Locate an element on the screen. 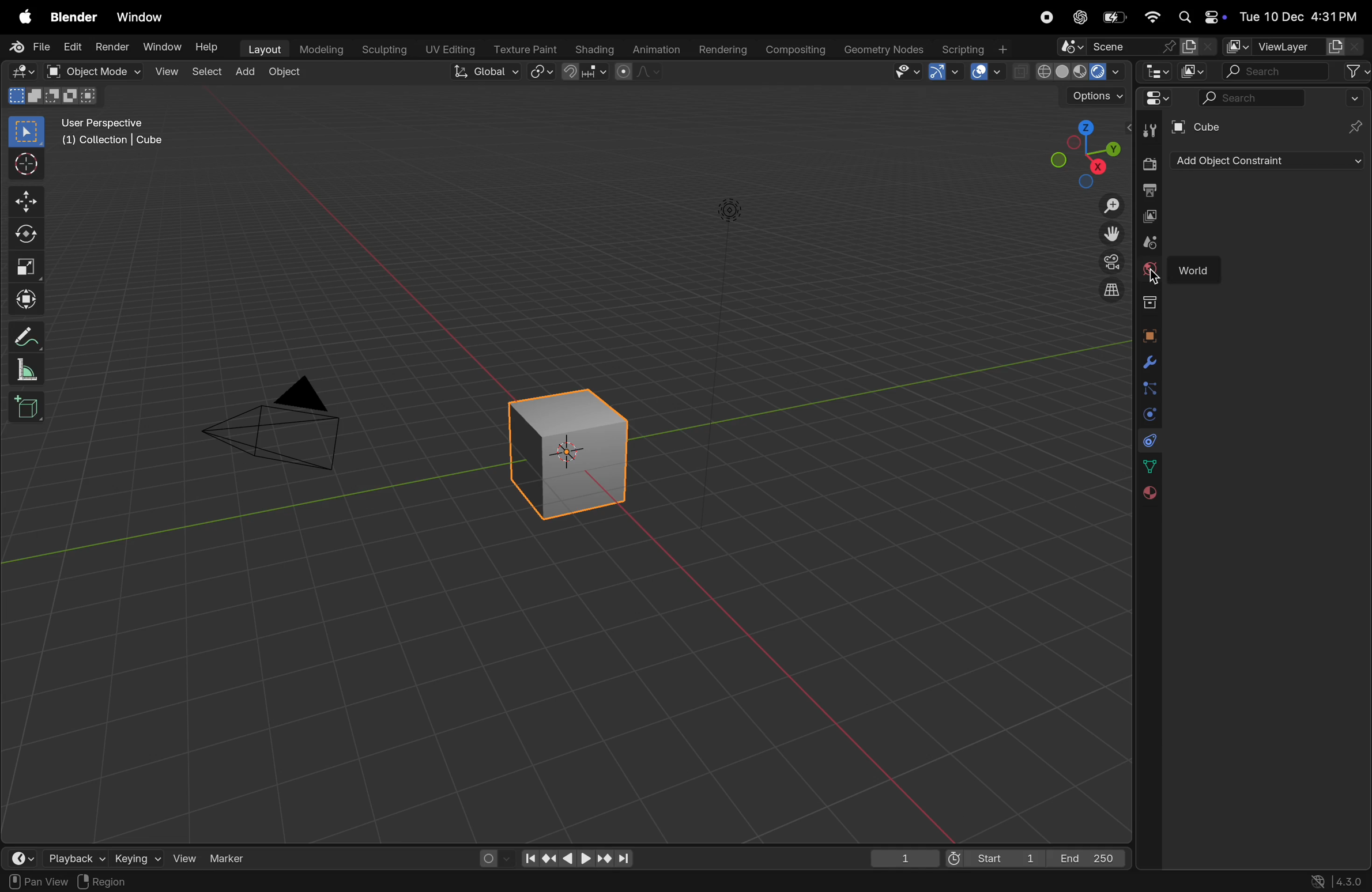 Image resolution: width=1372 pixels, height=892 pixels. zoom is located at coordinates (1105, 205).